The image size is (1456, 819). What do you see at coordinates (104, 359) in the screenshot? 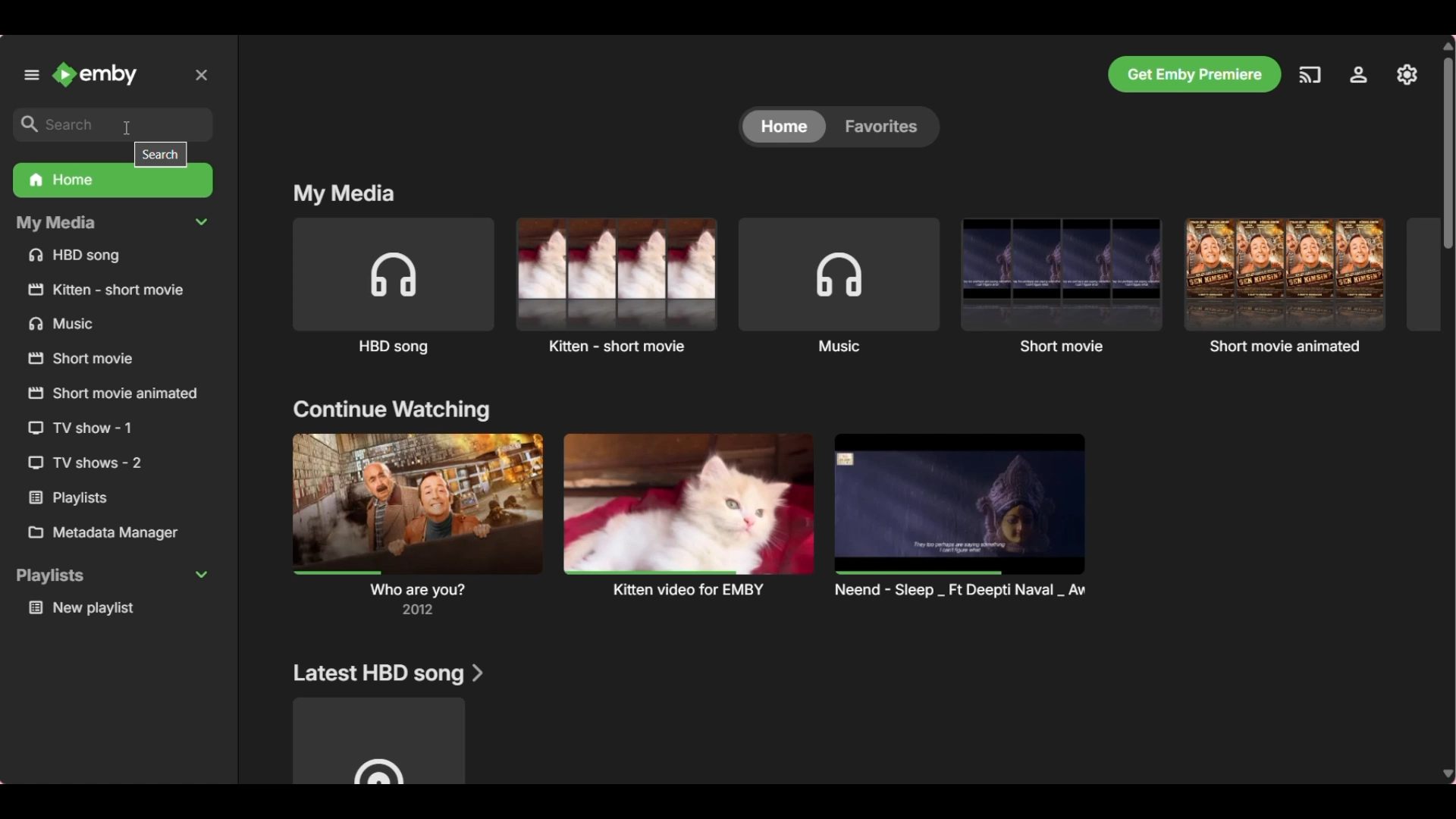
I see `` at bounding box center [104, 359].